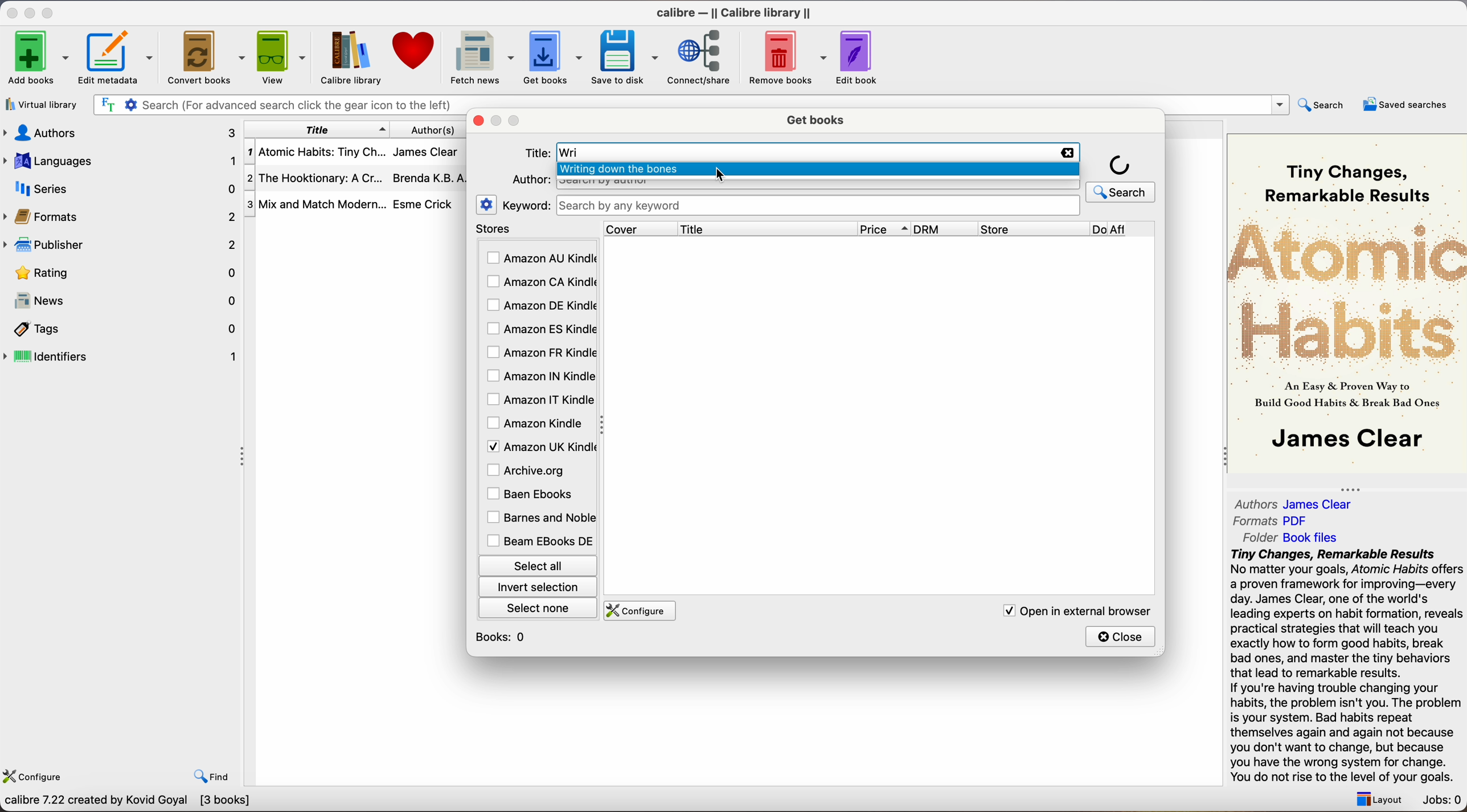 Image resolution: width=1467 pixels, height=812 pixels. I want to click on minimize, so click(32, 12).